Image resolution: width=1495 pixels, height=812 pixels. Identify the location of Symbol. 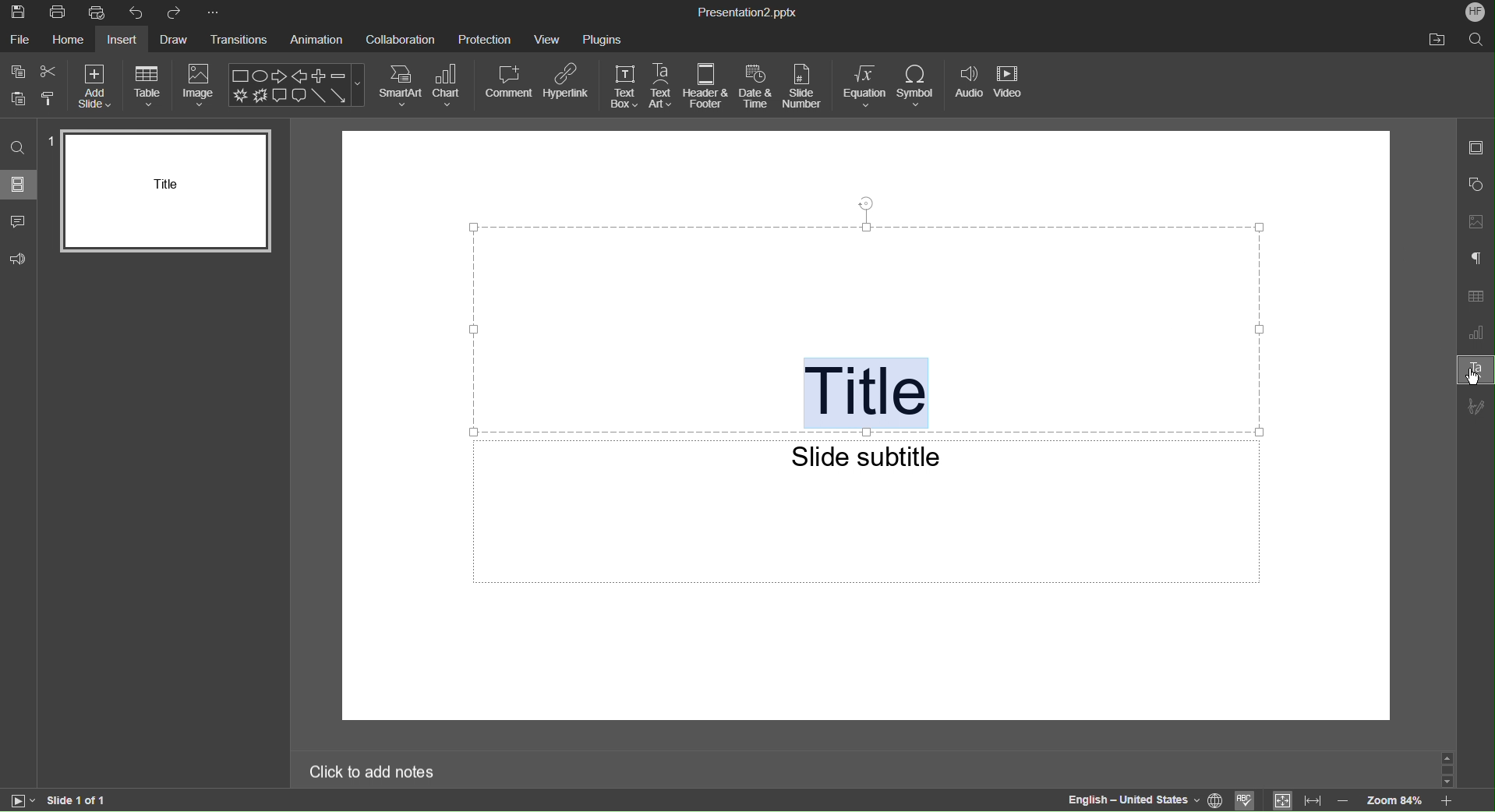
(917, 86).